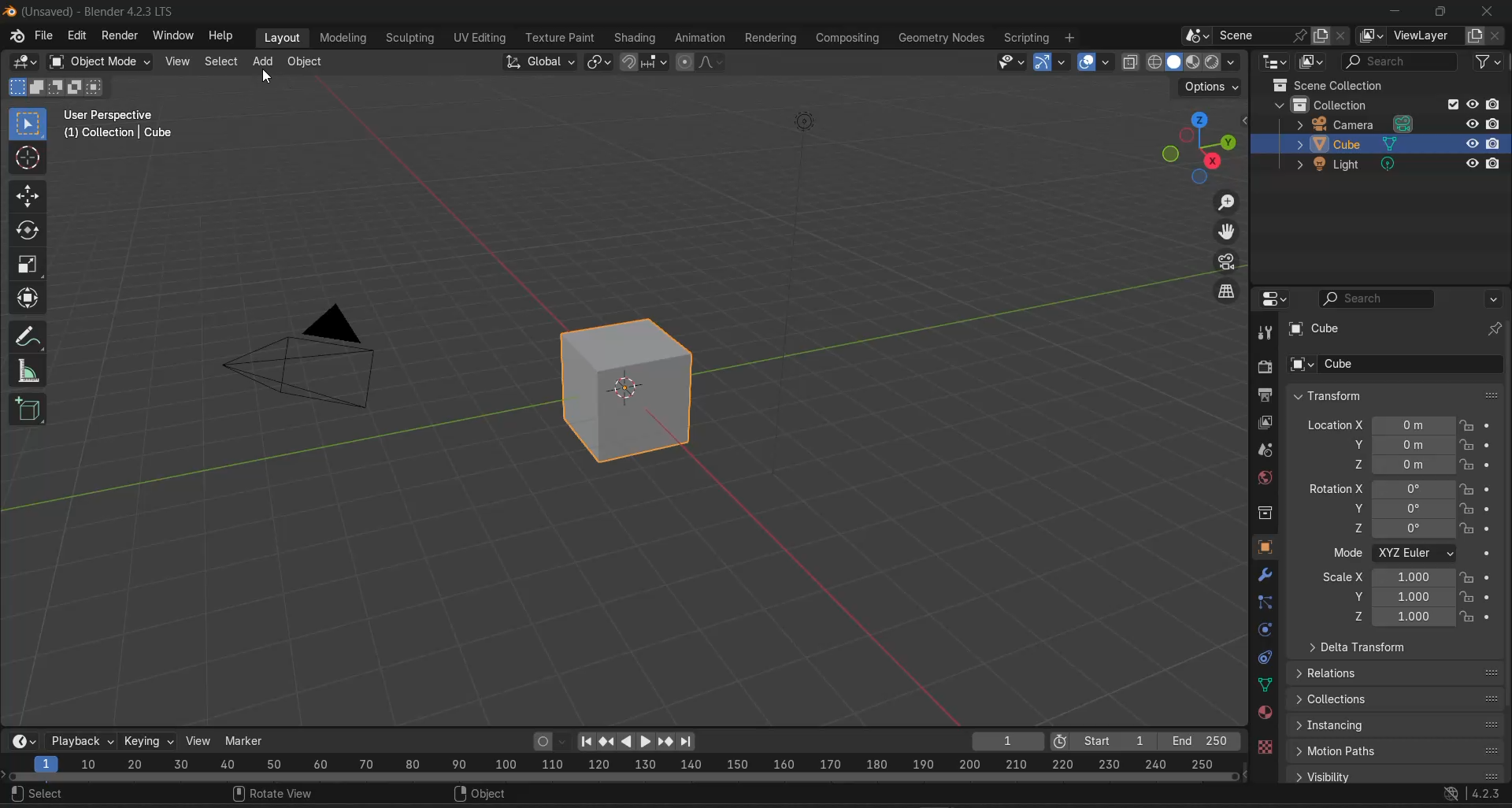 Image resolution: width=1512 pixels, height=808 pixels. Describe the element at coordinates (1490, 12) in the screenshot. I see `close` at that location.